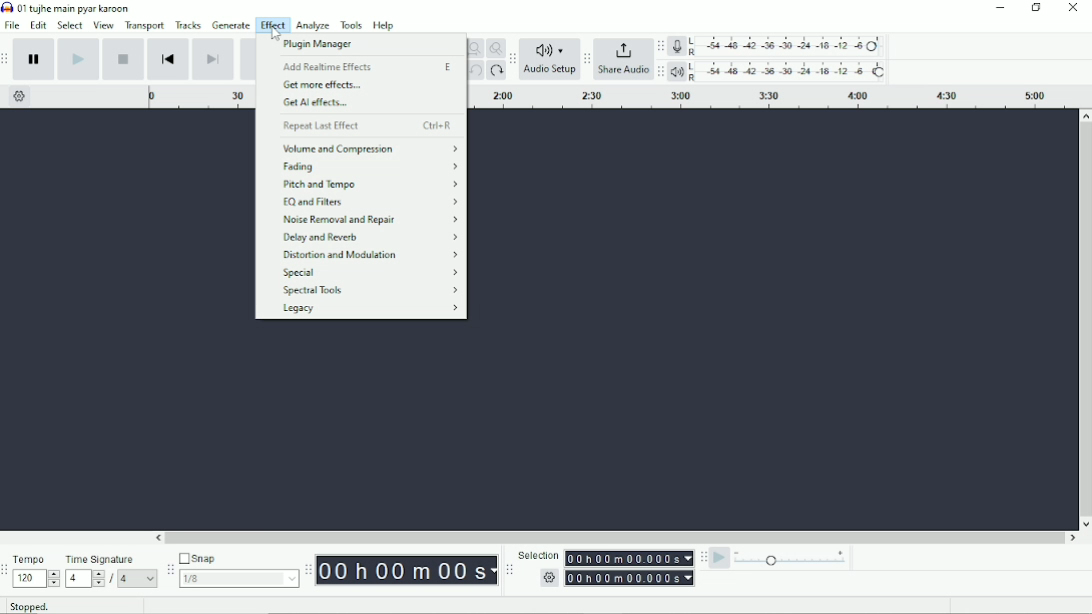 The width and height of the screenshot is (1092, 614). I want to click on Horizontal scrollbar, so click(616, 537).